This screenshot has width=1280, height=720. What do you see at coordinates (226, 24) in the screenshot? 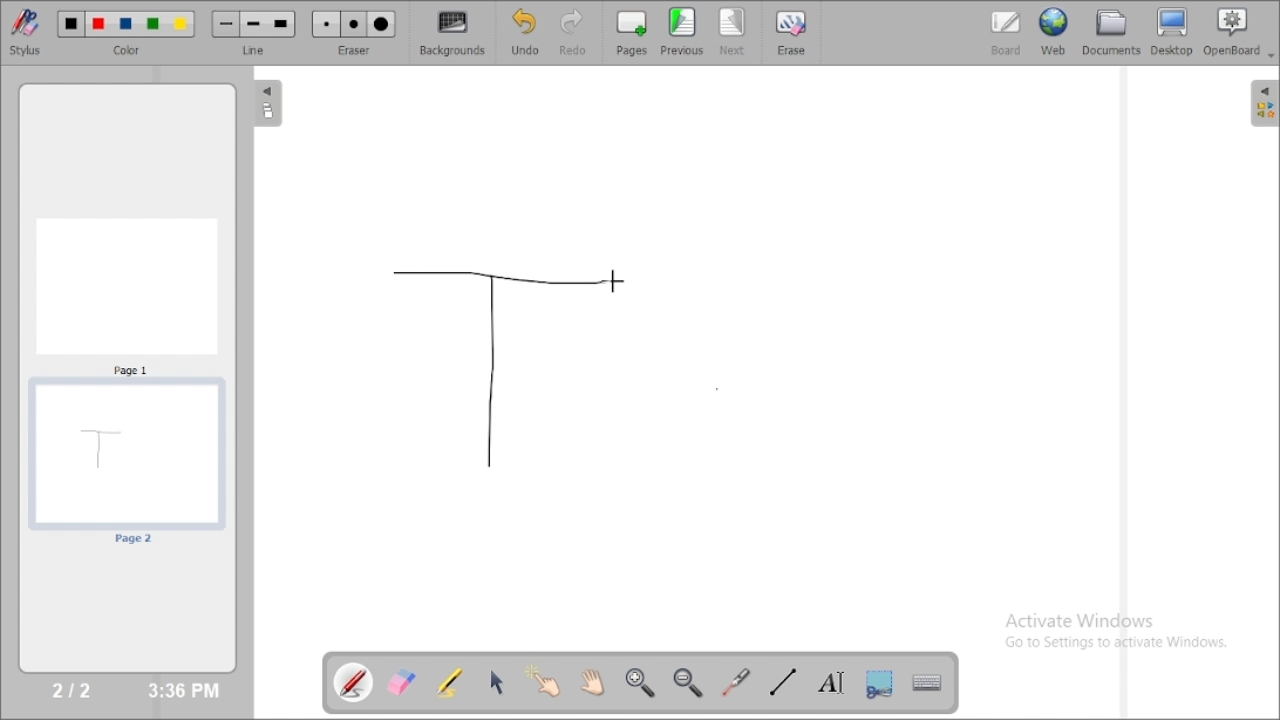
I see `Small line` at bounding box center [226, 24].